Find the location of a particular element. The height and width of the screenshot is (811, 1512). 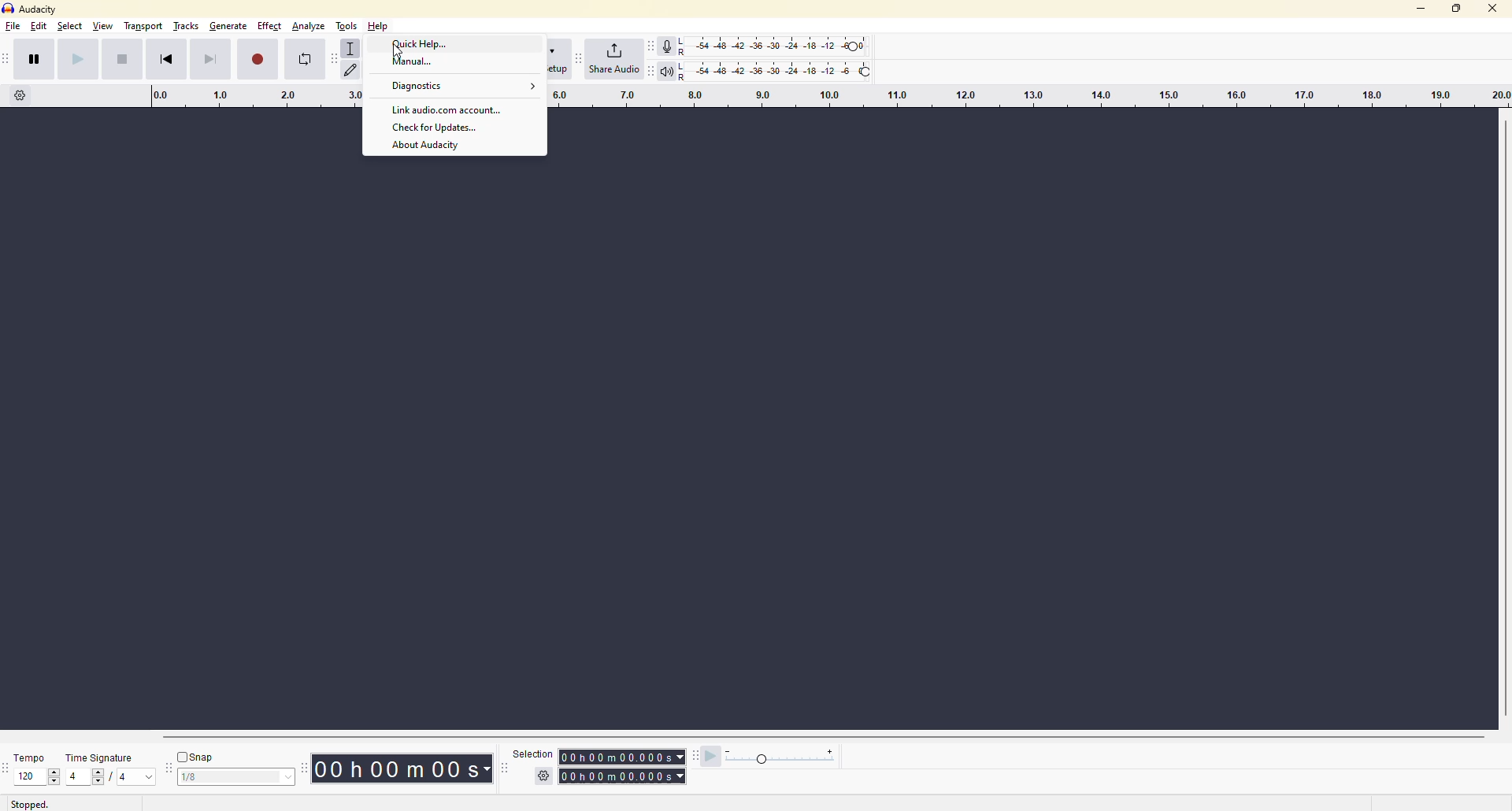

effect is located at coordinates (270, 28).